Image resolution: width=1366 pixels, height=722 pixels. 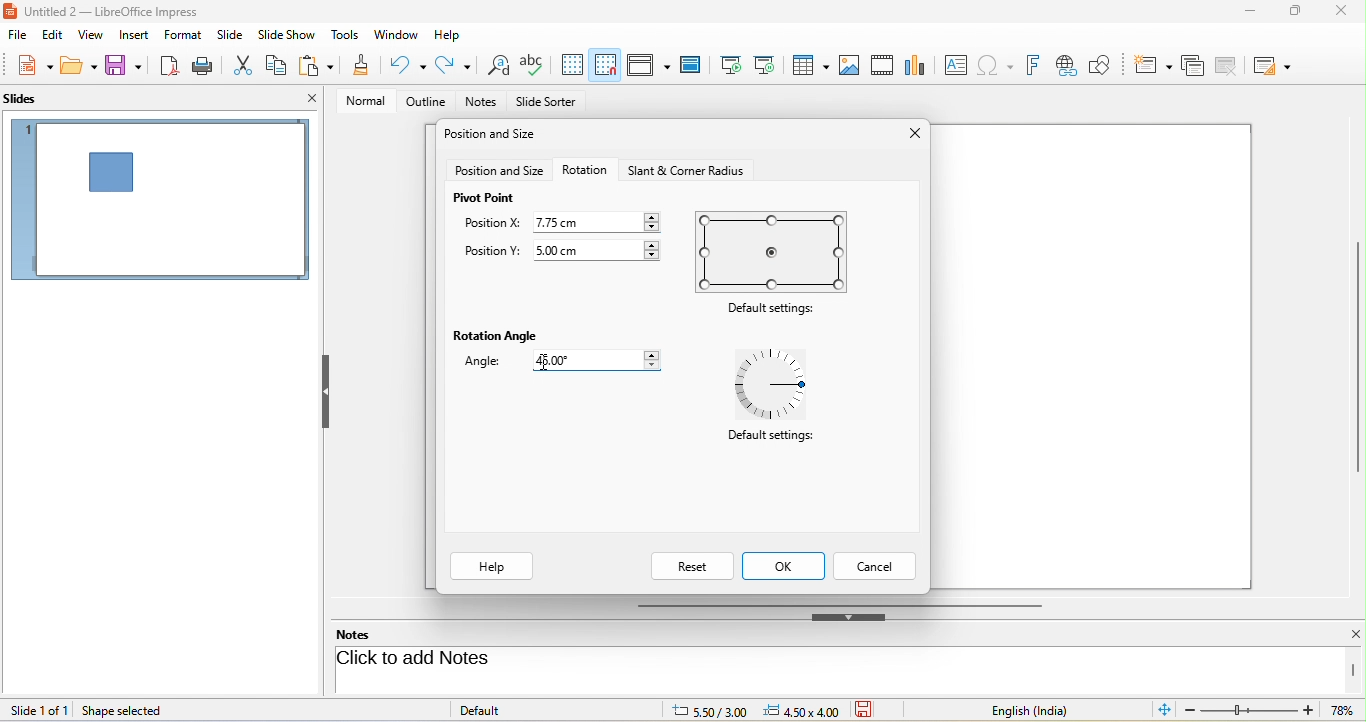 What do you see at coordinates (1273, 712) in the screenshot?
I see `zoom` at bounding box center [1273, 712].